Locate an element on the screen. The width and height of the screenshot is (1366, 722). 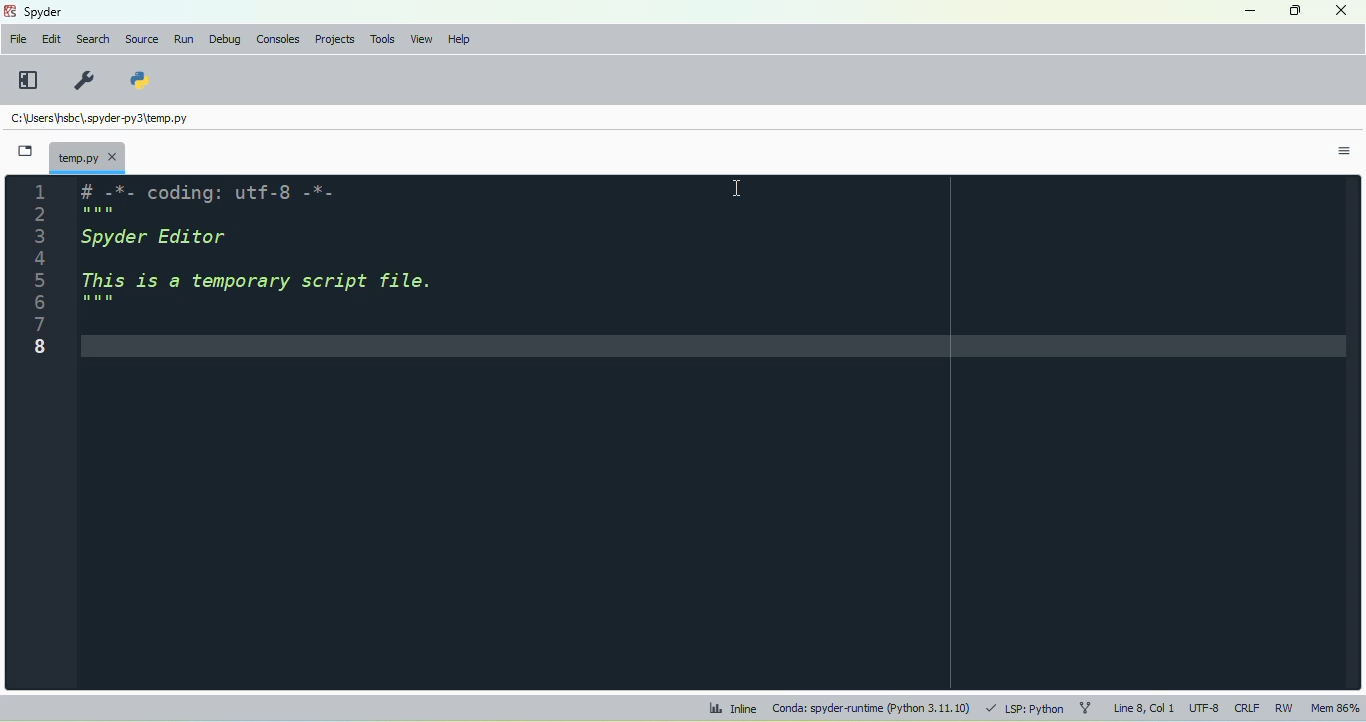
maximize current pane is located at coordinates (29, 80).